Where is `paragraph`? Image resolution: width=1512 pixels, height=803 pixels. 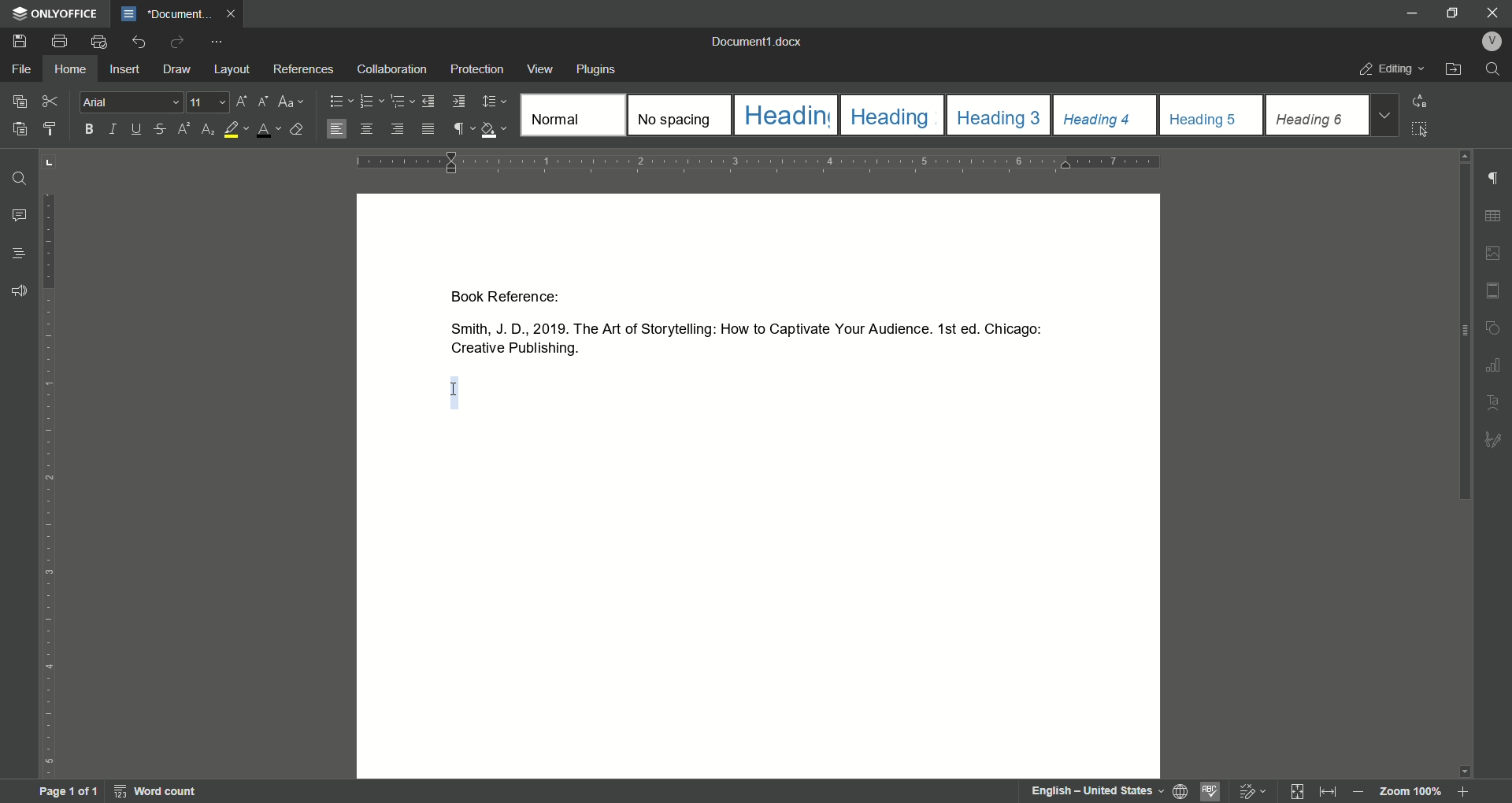
paragraph is located at coordinates (371, 101).